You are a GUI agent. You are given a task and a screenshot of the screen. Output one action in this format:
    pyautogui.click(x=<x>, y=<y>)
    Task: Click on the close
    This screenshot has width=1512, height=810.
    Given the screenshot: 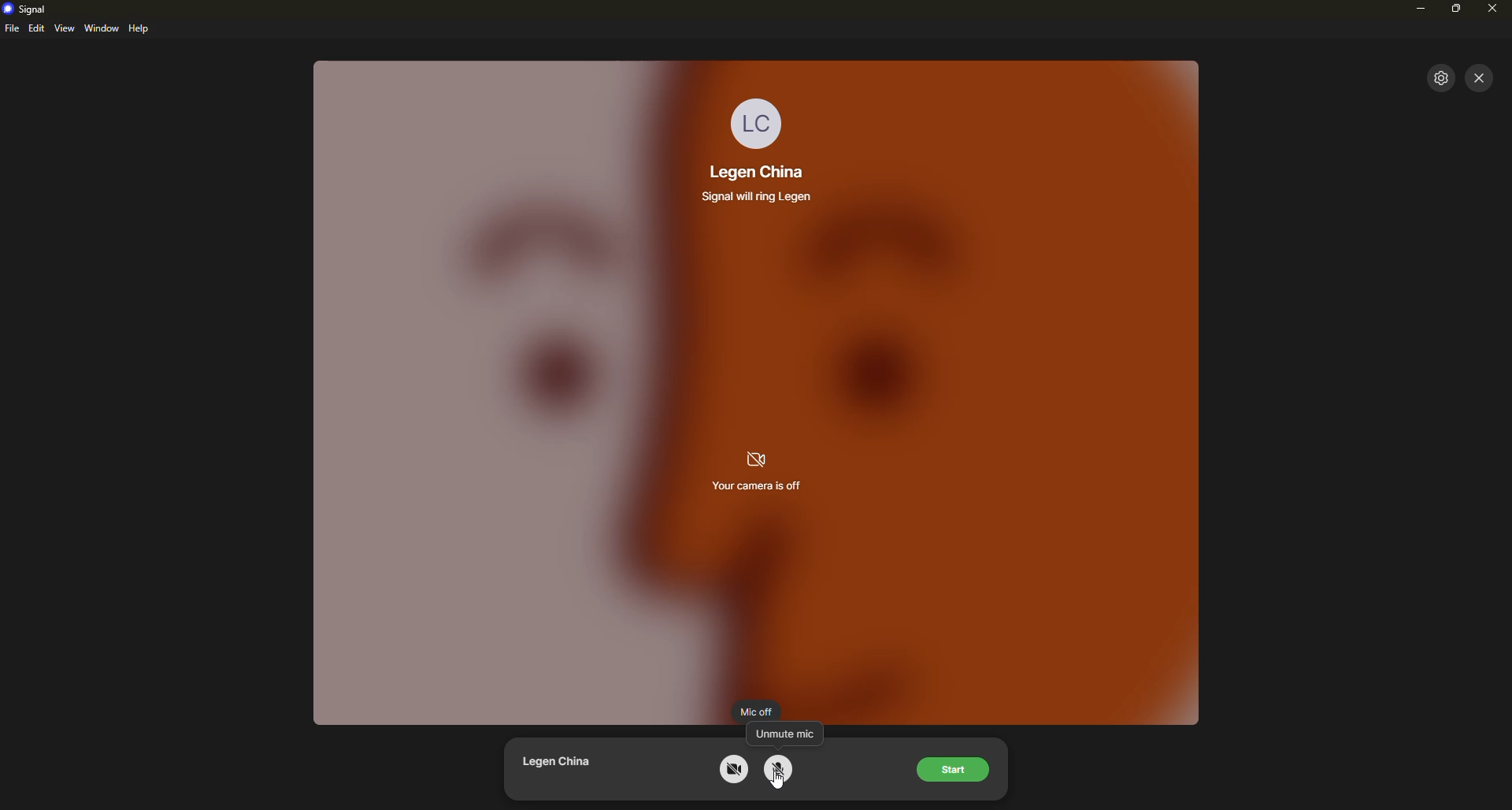 What is the action you would take?
    pyautogui.click(x=1480, y=77)
    